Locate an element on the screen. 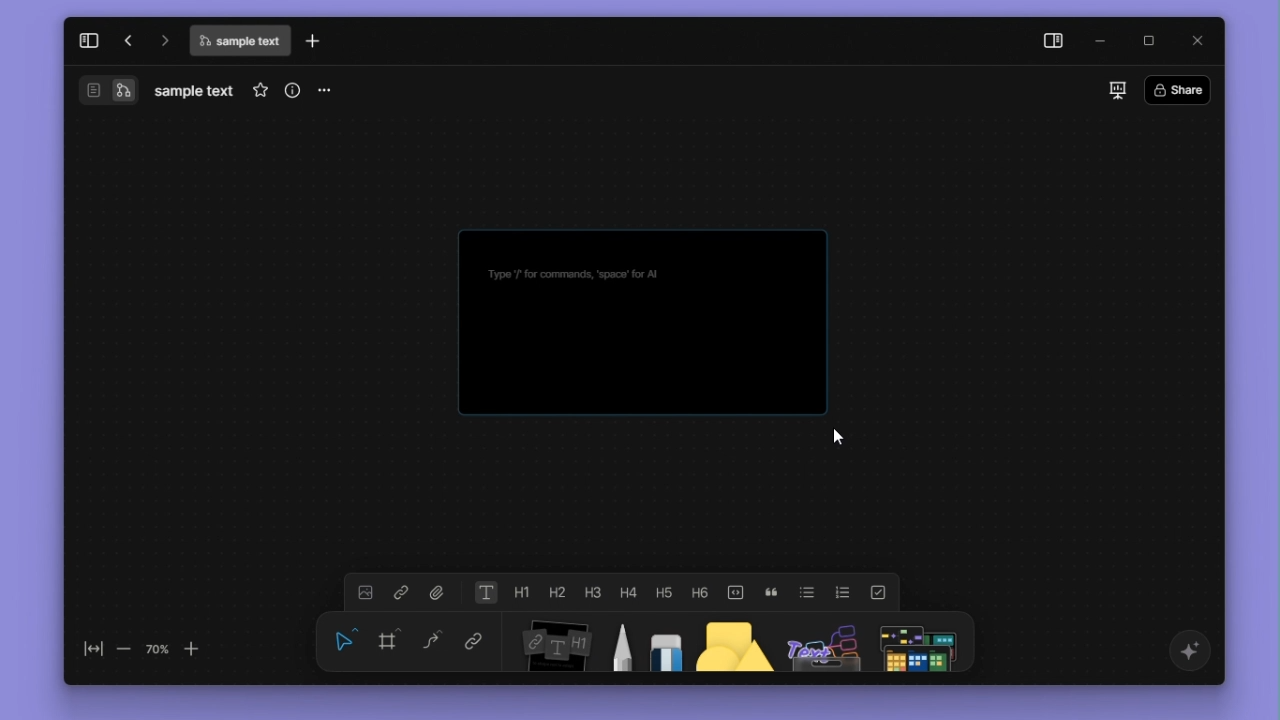  code block is located at coordinates (736, 590).